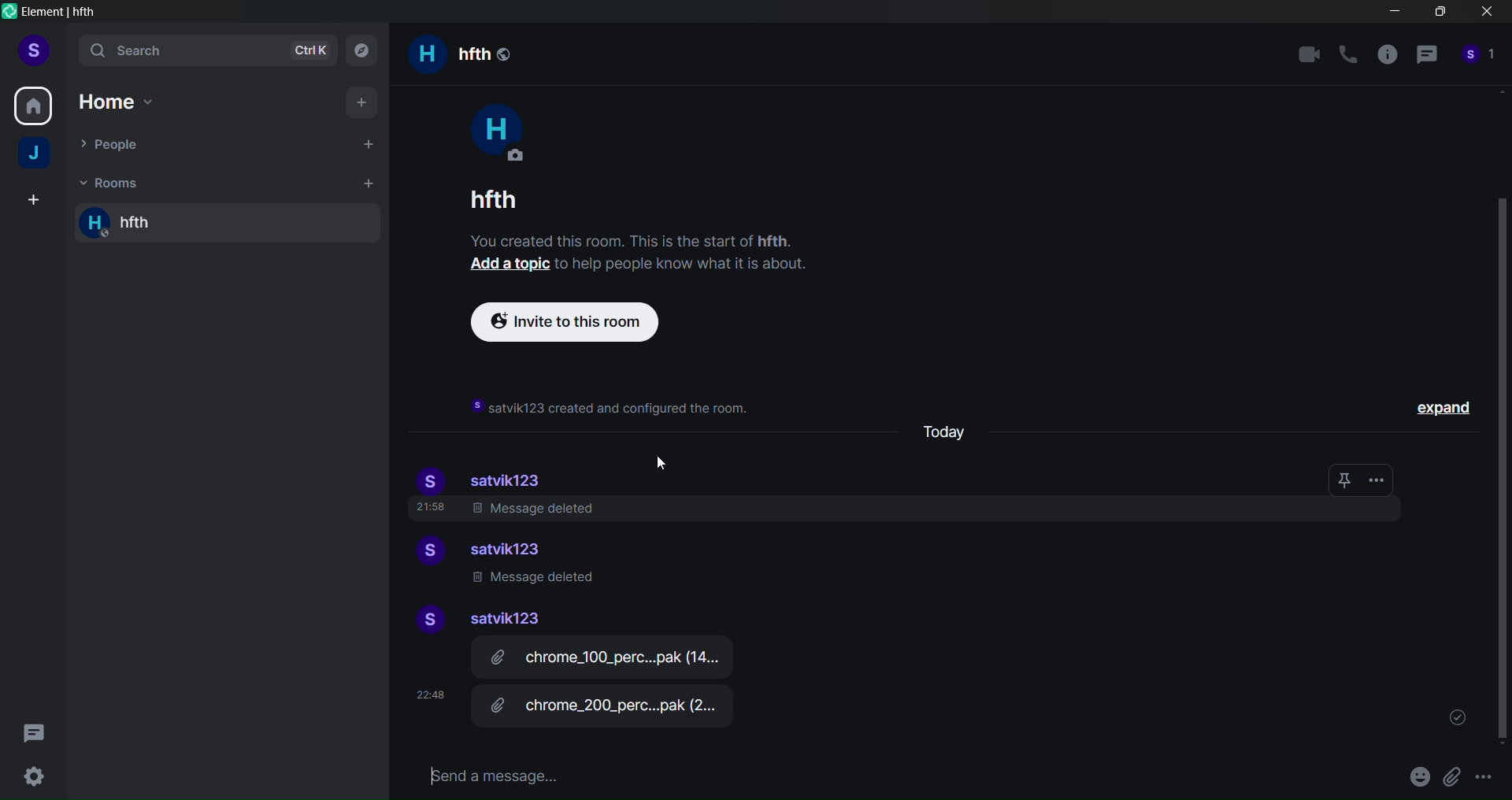 Image resolution: width=1512 pixels, height=800 pixels. What do you see at coordinates (31, 201) in the screenshot?
I see `create space` at bounding box center [31, 201].